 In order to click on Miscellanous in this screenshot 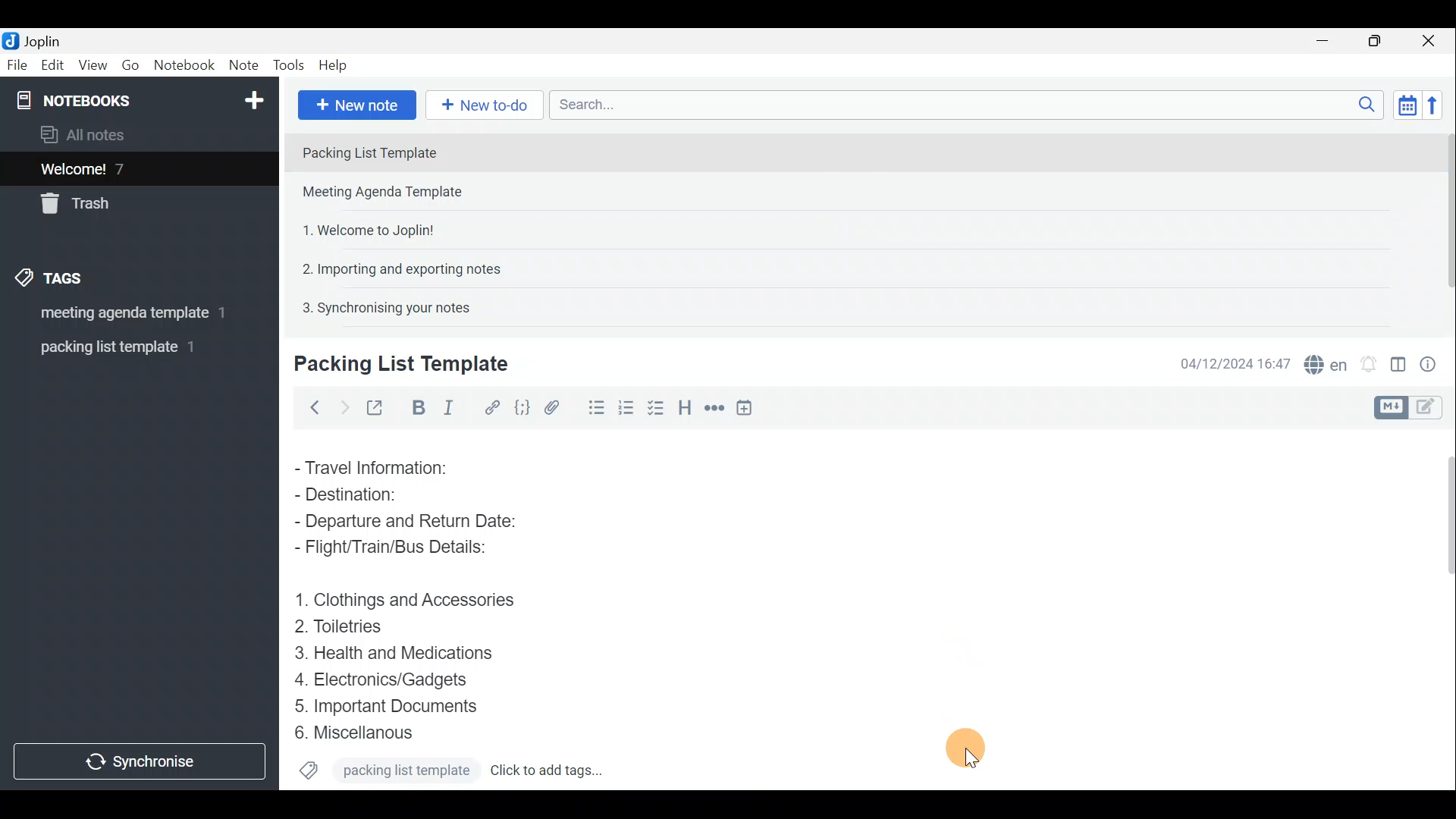, I will do `click(366, 733)`.